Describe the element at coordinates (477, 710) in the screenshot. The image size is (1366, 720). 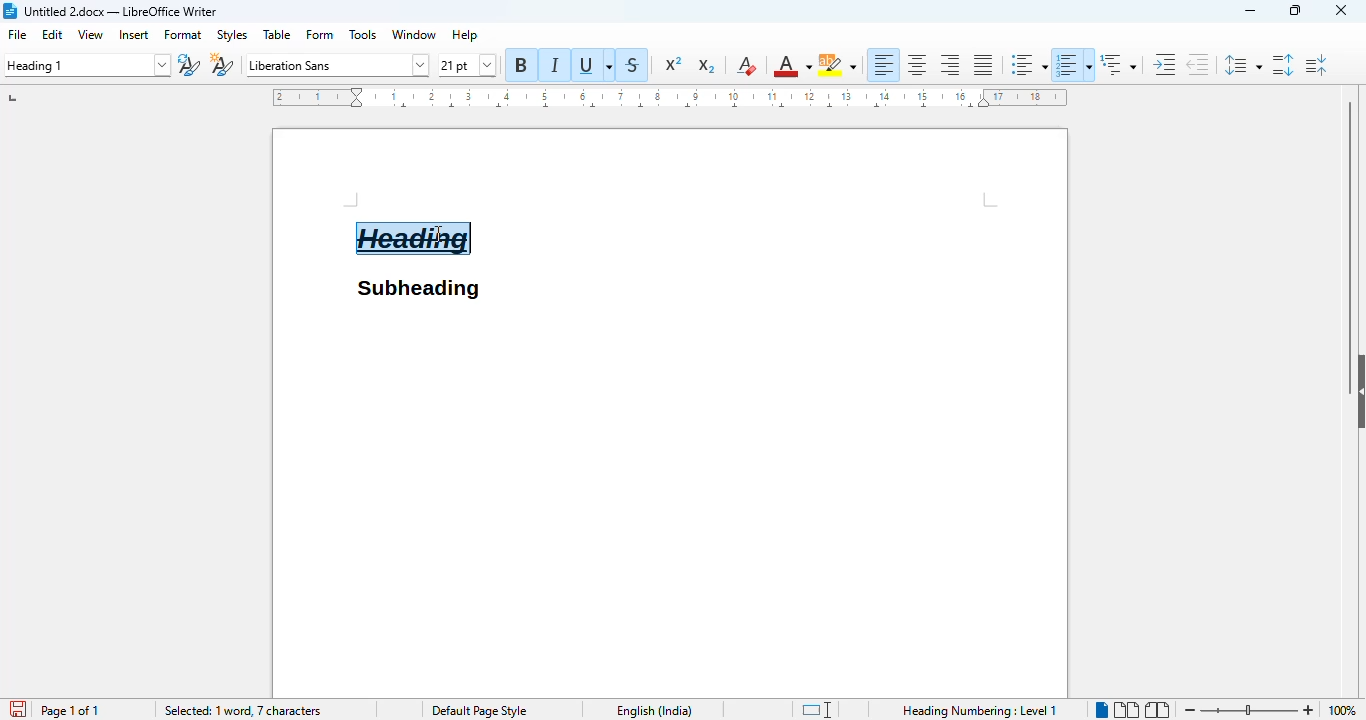
I see `page style` at that location.